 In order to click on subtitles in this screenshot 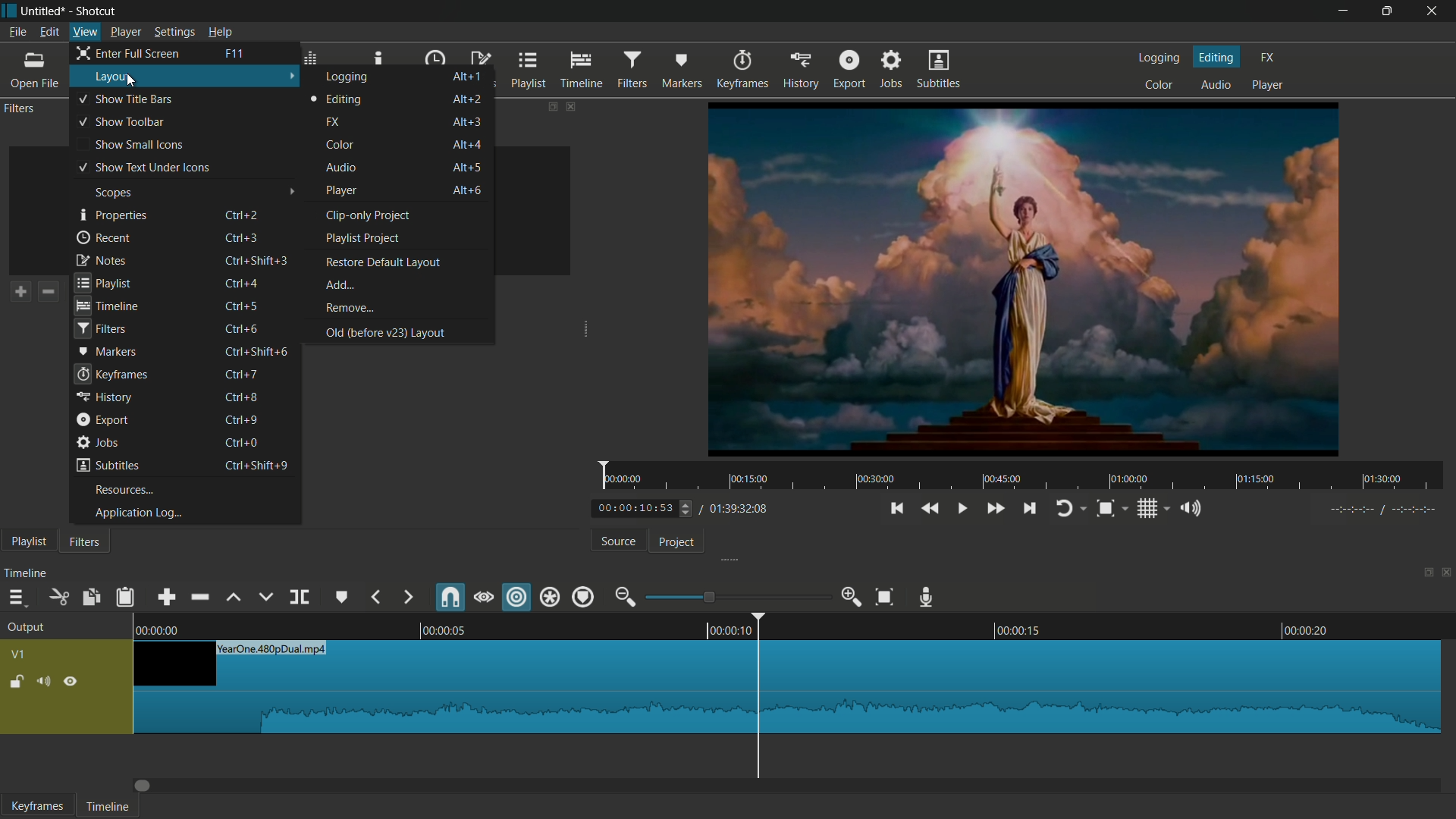, I will do `click(939, 71)`.